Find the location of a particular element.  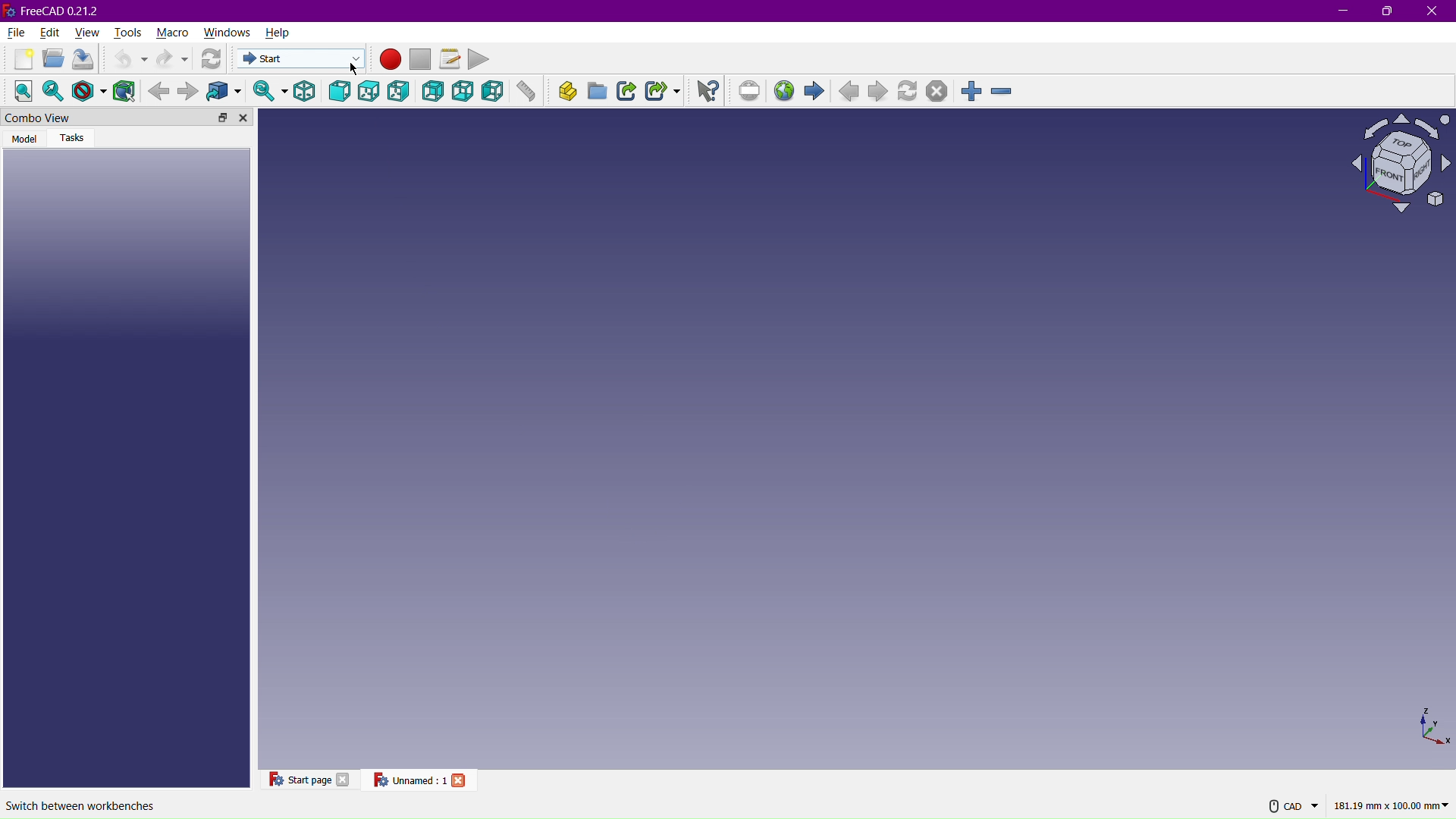

Set URL is located at coordinates (748, 91).